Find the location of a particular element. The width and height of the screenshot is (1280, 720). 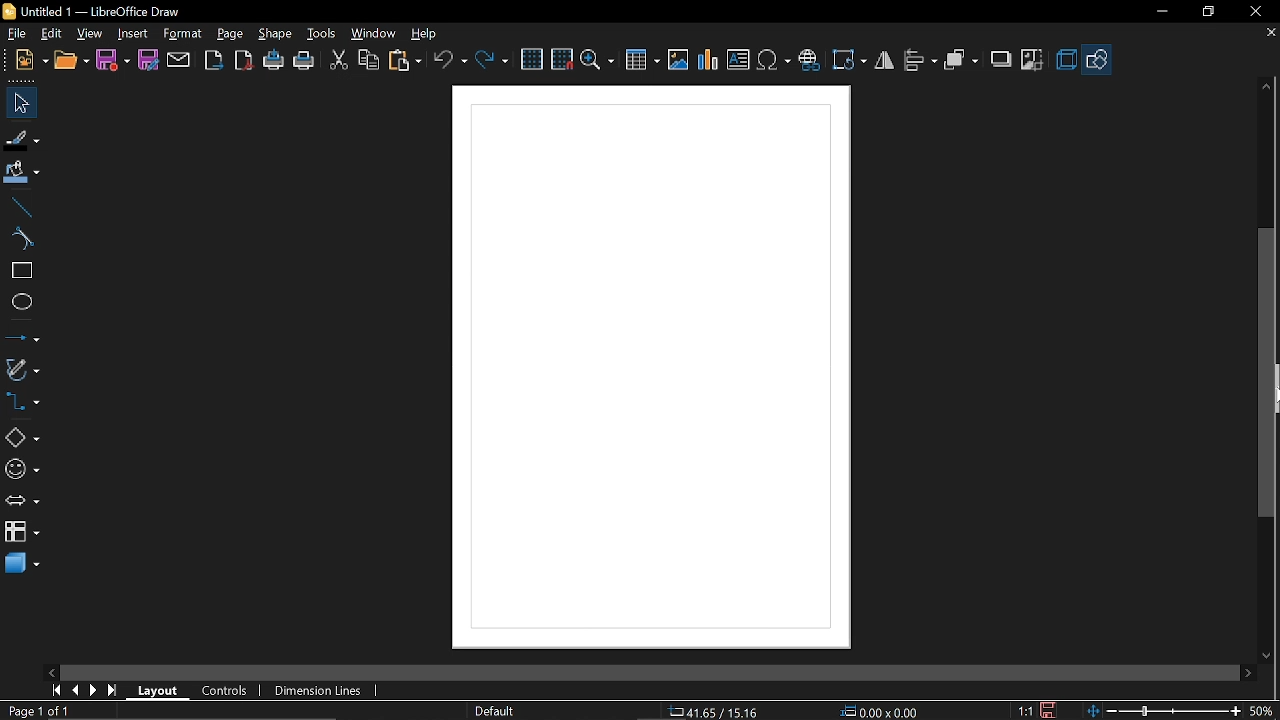

save is located at coordinates (1053, 708).